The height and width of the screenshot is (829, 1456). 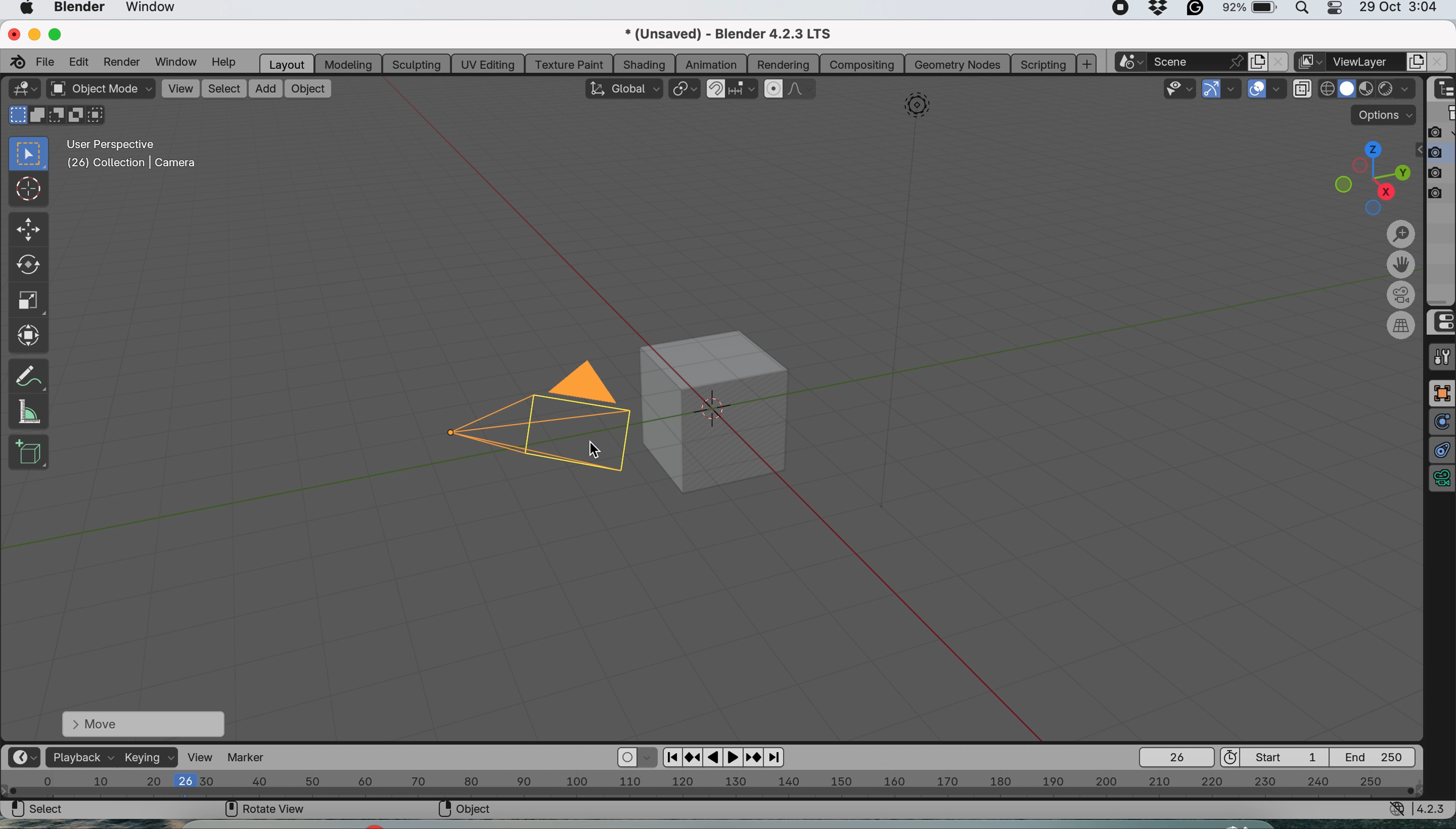 What do you see at coordinates (693, 756) in the screenshot?
I see `reverse` at bounding box center [693, 756].